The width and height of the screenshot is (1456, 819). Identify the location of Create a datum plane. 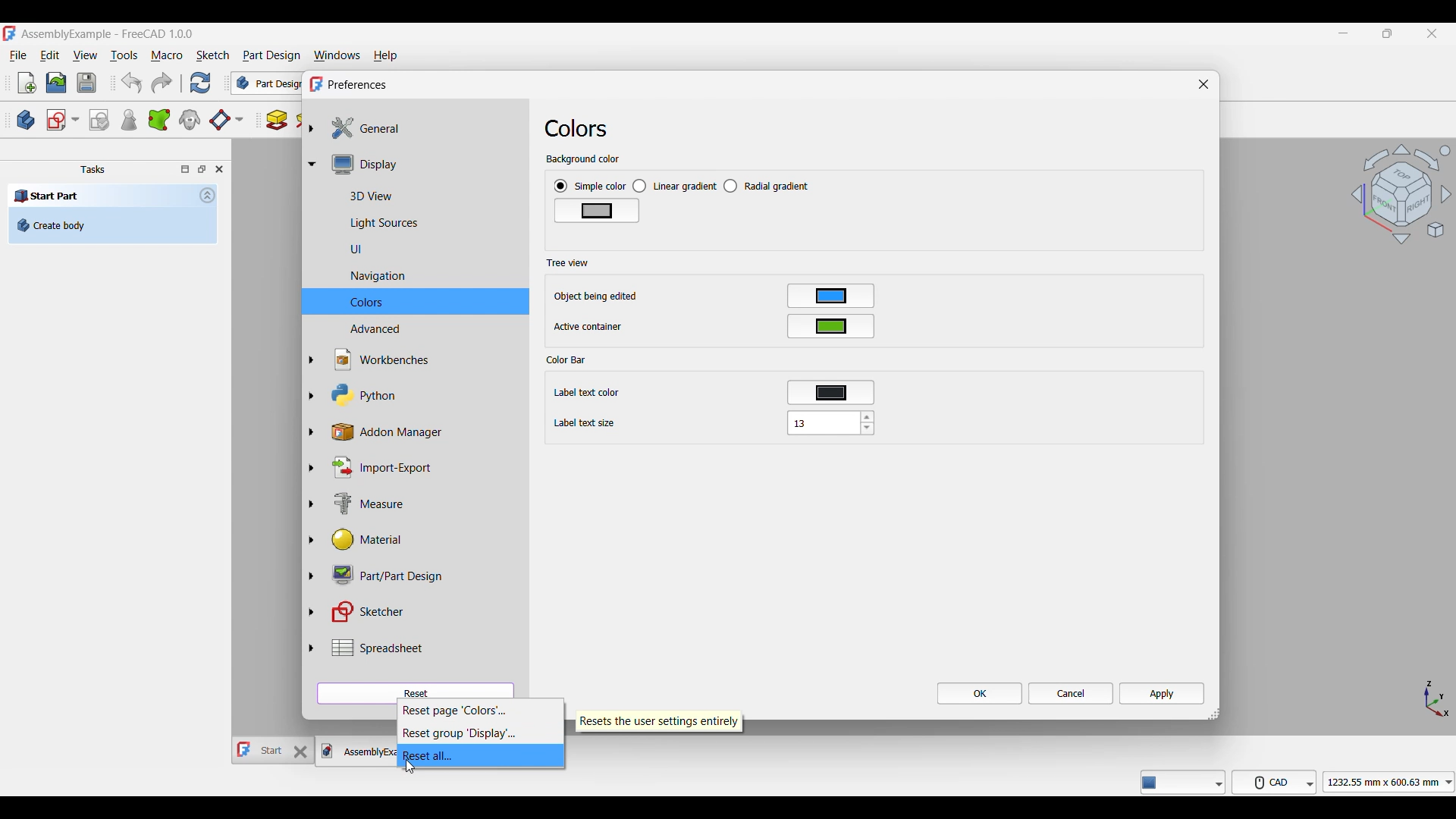
(226, 121).